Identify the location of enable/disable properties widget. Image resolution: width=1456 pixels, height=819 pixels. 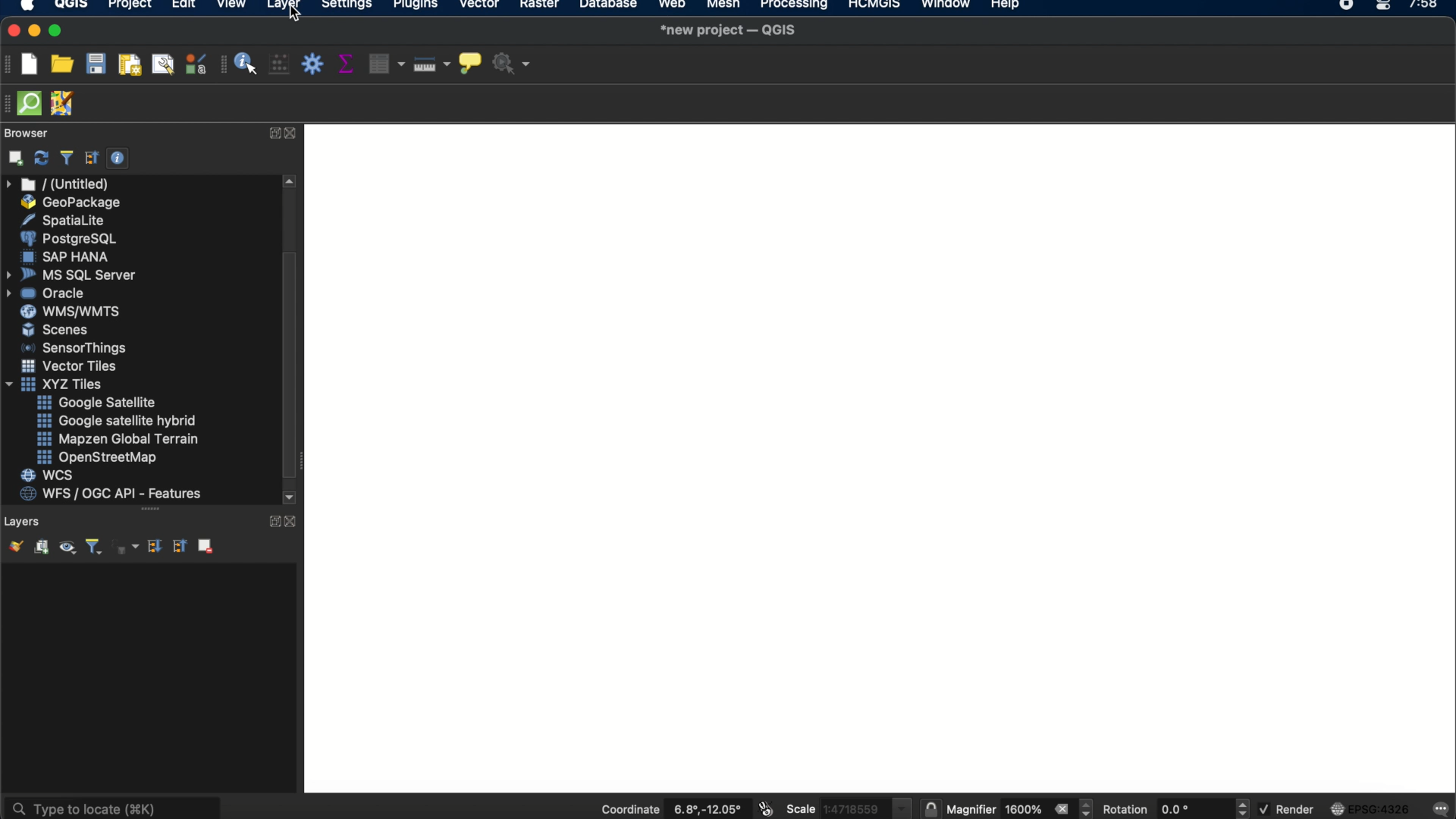
(118, 158).